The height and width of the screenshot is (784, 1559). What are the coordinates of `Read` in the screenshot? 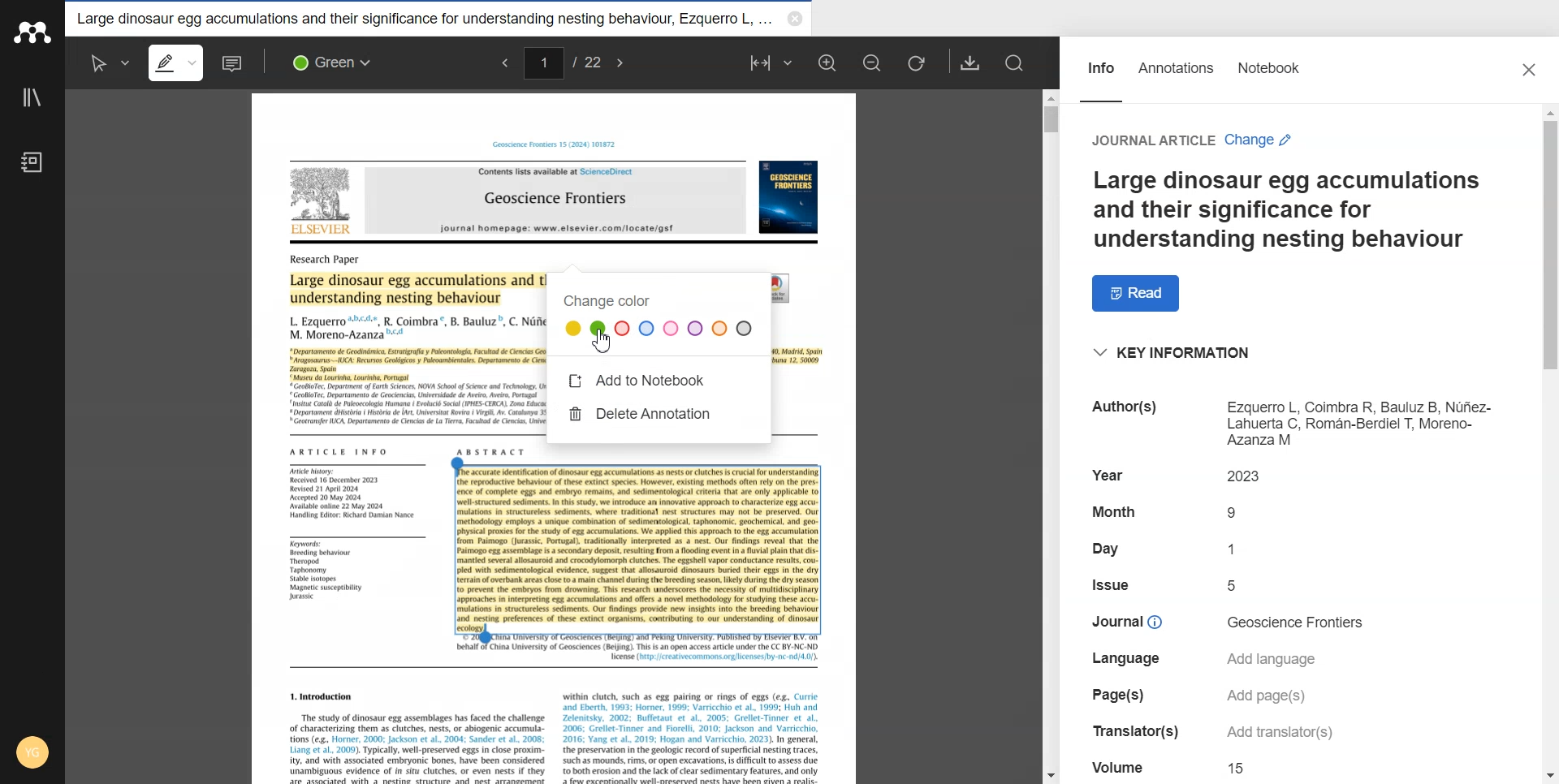 It's located at (1138, 293).